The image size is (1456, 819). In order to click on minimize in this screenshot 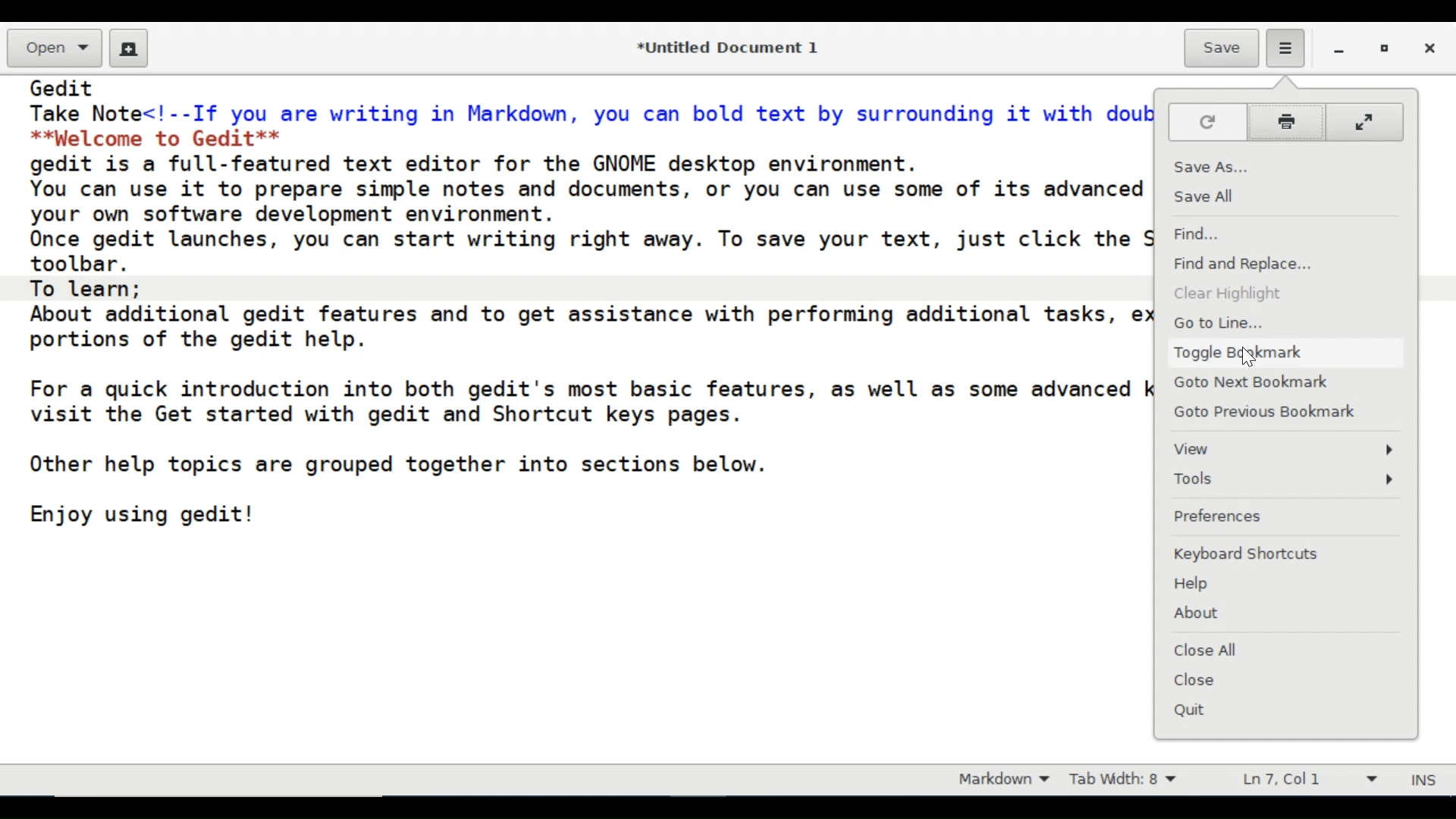, I will do `click(1341, 51)`.